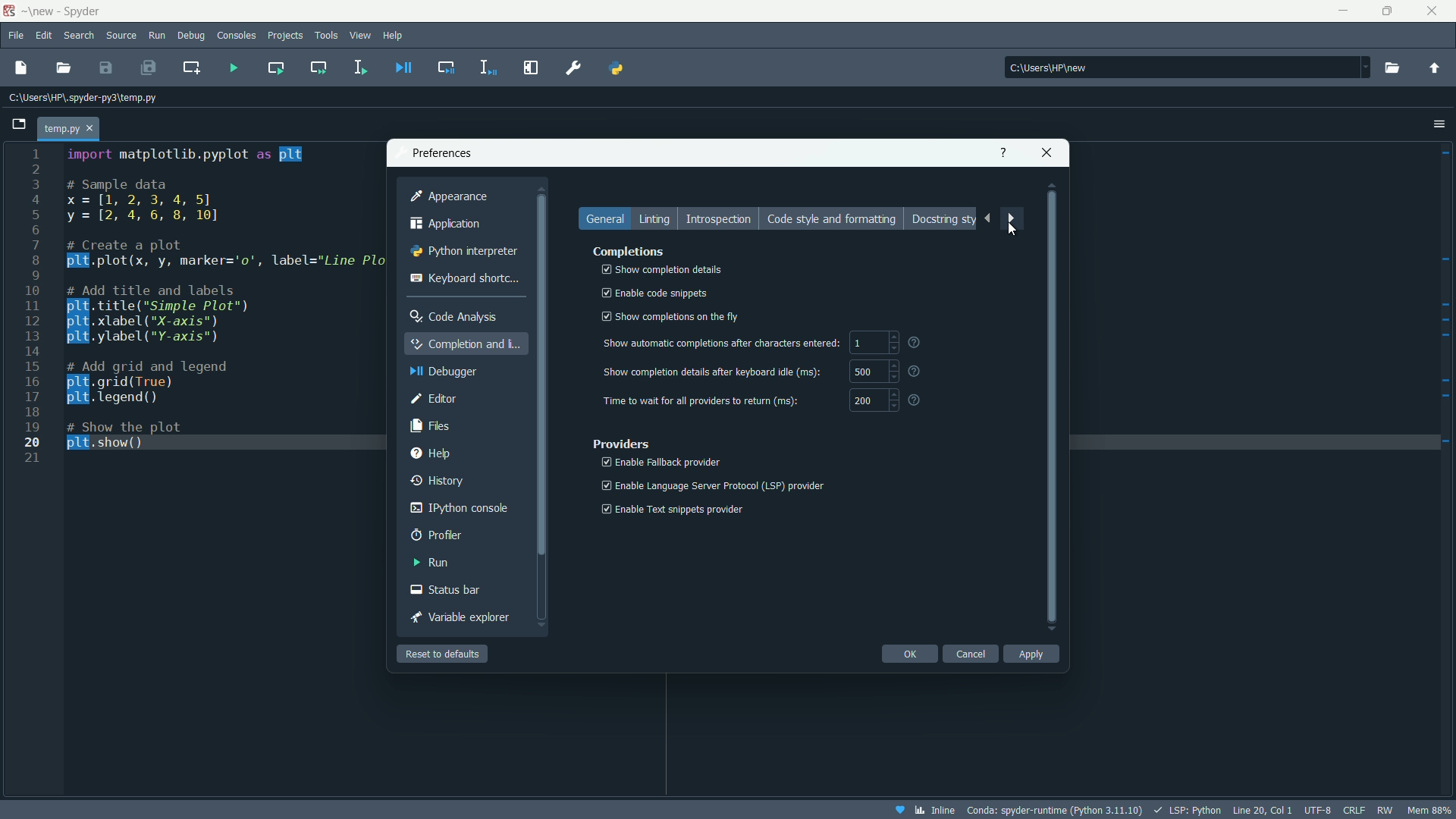  What do you see at coordinates (275, 67) in the screenshot?
I see `run current cell` at bounding box center [275, 67].